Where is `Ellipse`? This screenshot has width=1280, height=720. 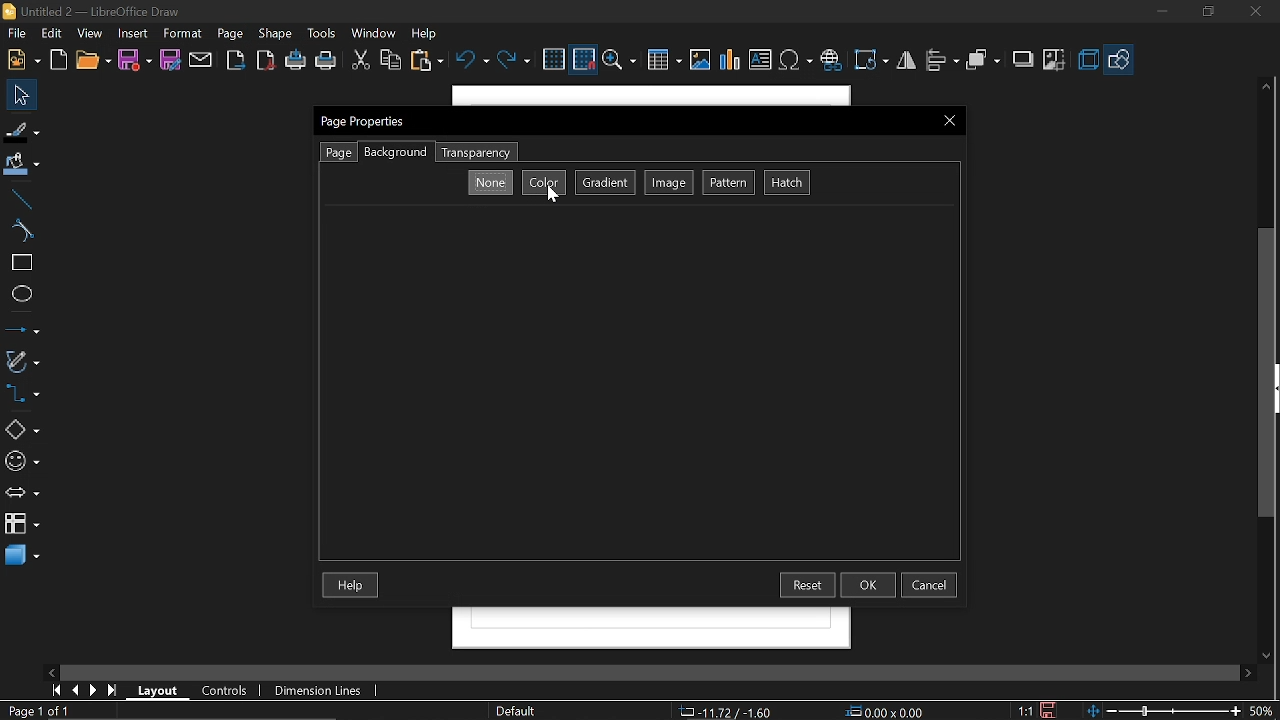
Ellipse is located at coordinates (20, 297).